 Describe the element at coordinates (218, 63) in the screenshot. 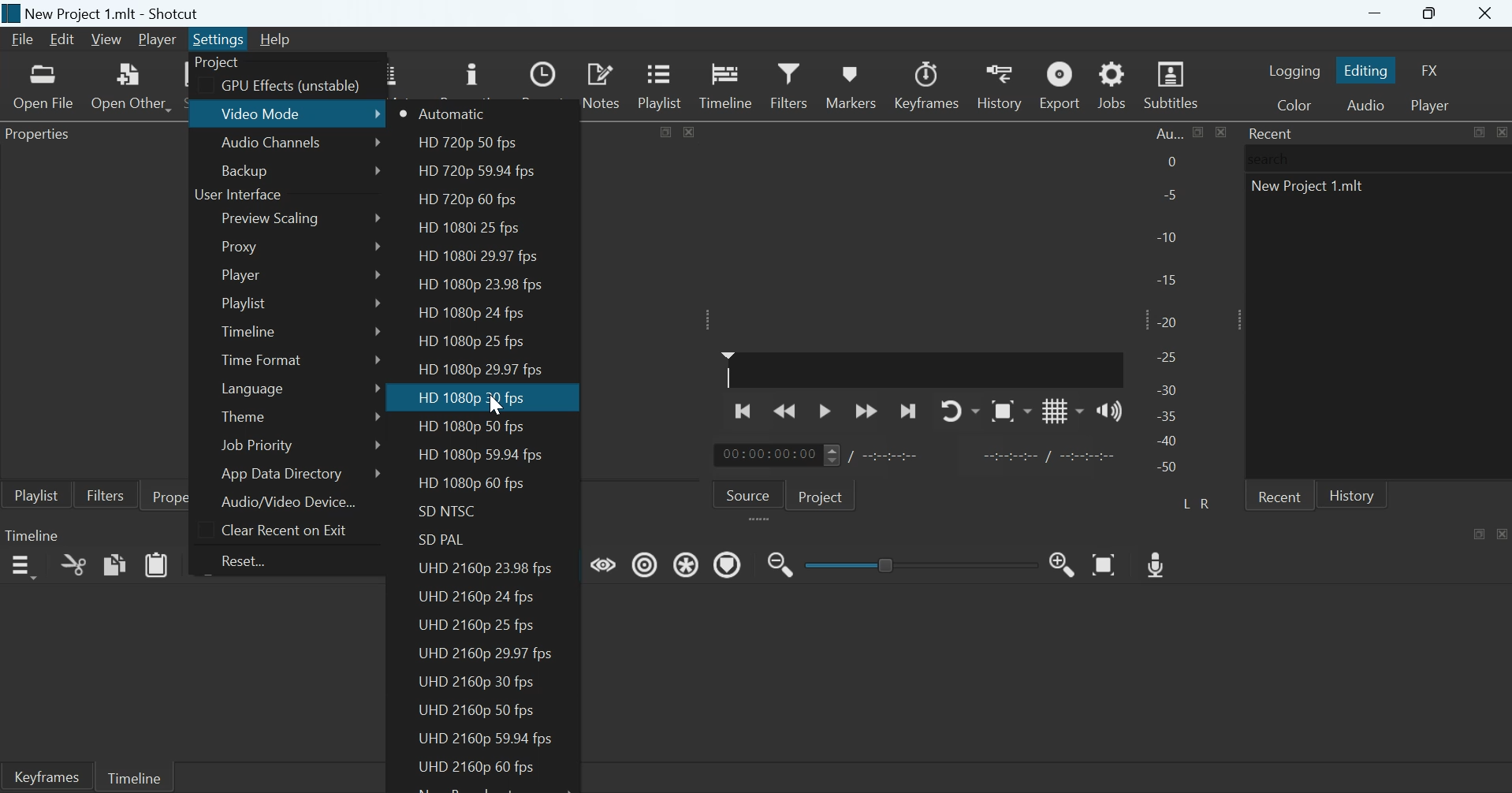

I see `Project` at that location.